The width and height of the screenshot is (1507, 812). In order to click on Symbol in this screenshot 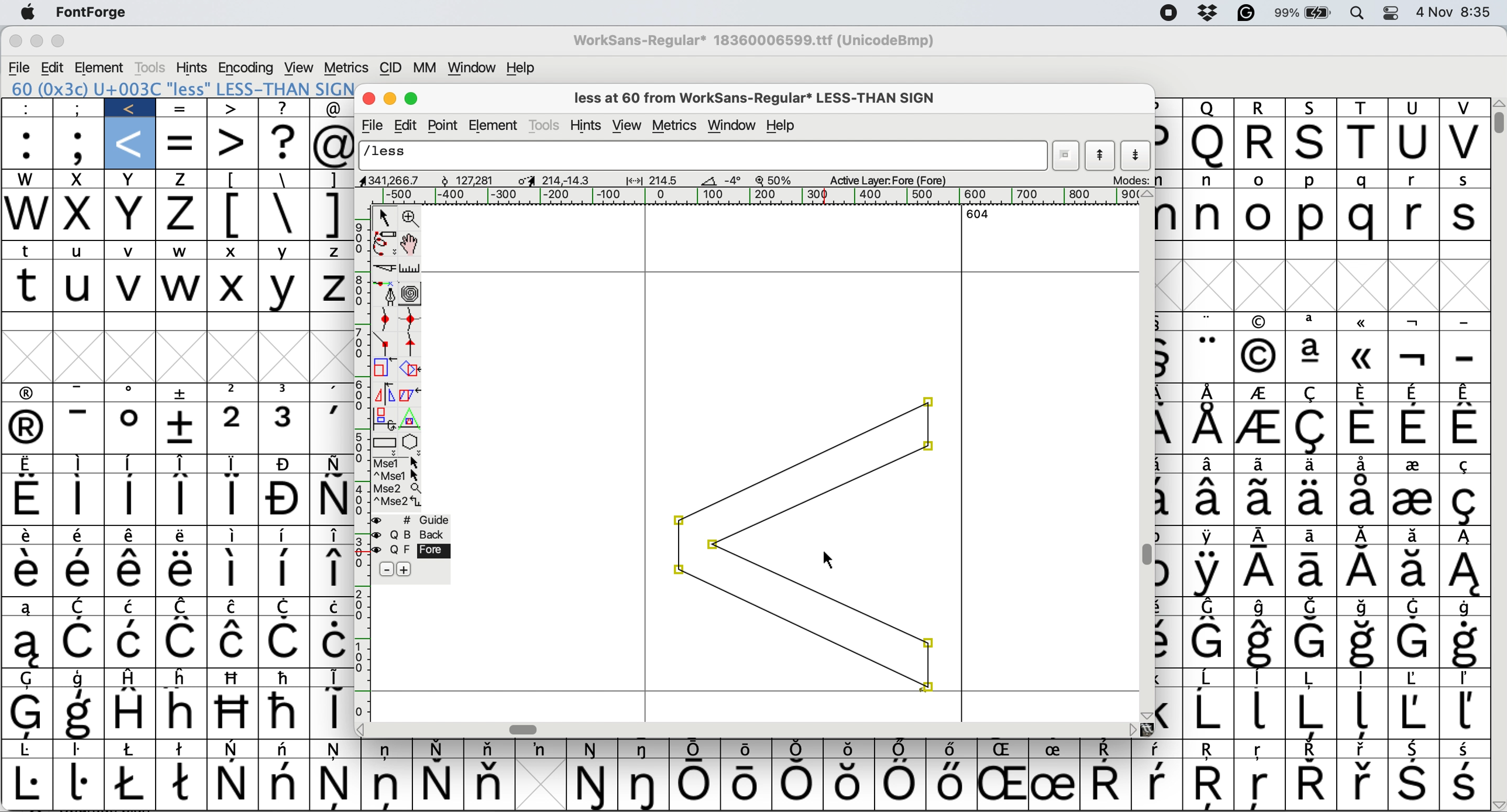, I will do `click(1312, 357)`.